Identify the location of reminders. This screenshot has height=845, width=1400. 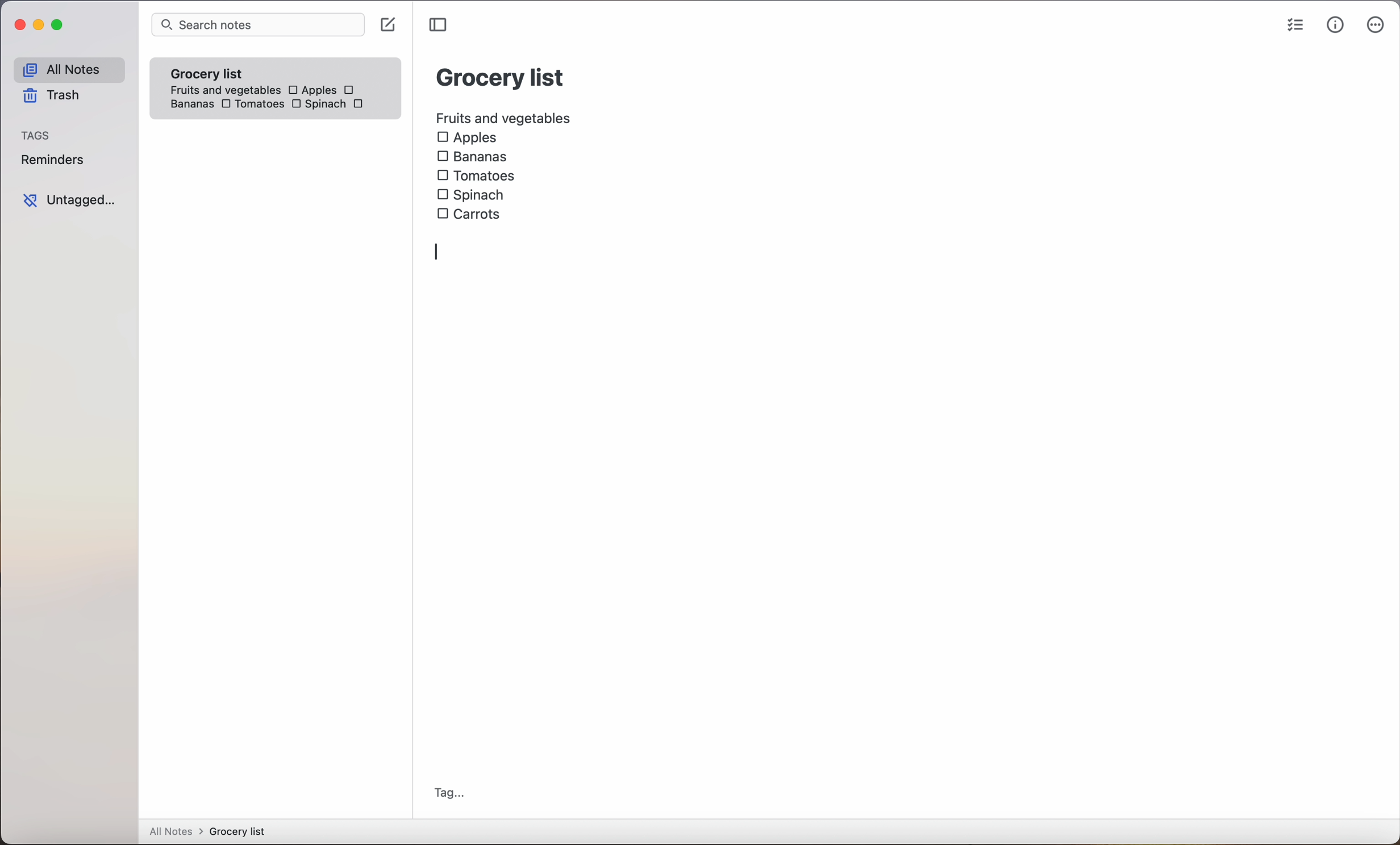
(52, 162).